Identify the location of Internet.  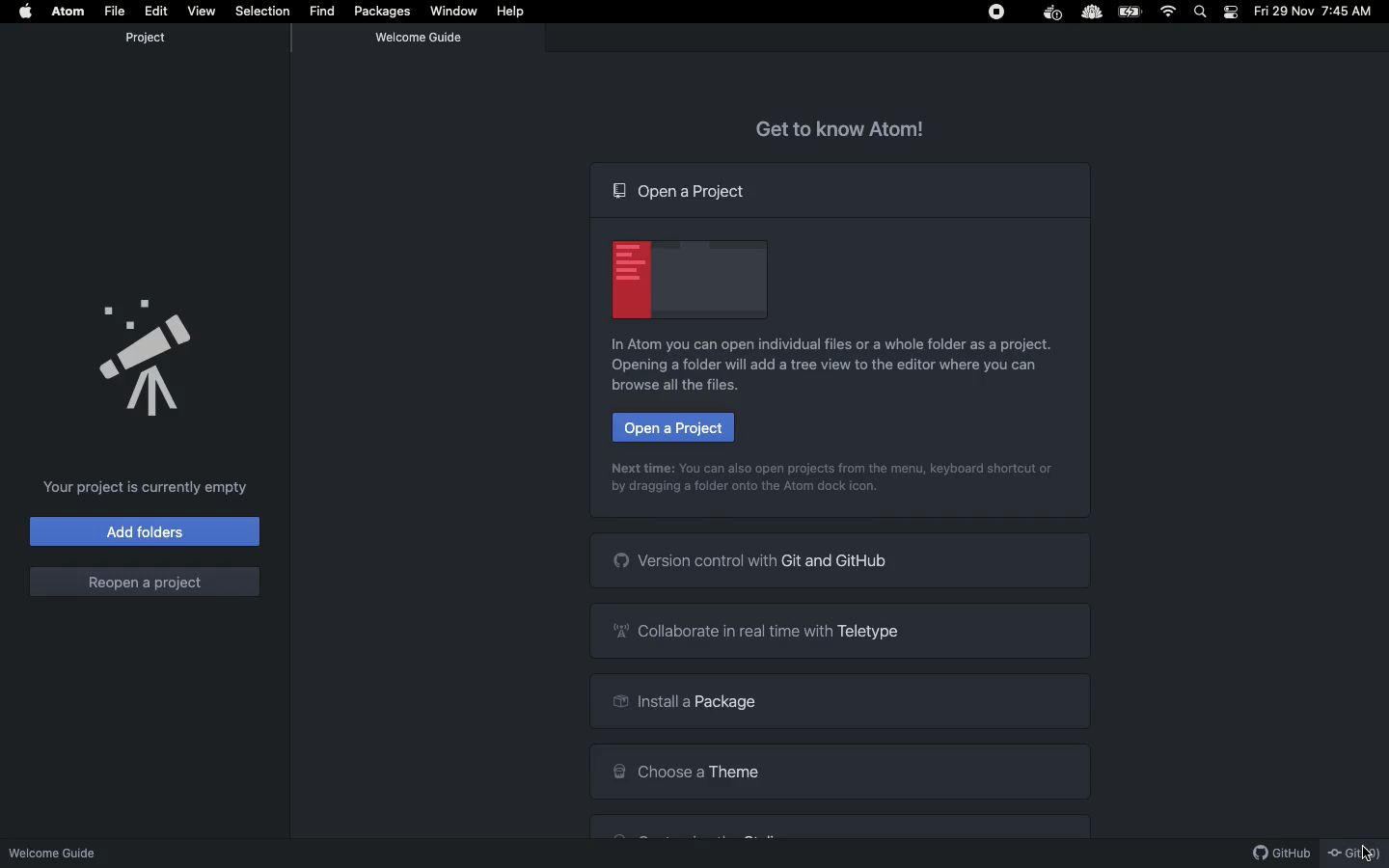
(1169, 12).